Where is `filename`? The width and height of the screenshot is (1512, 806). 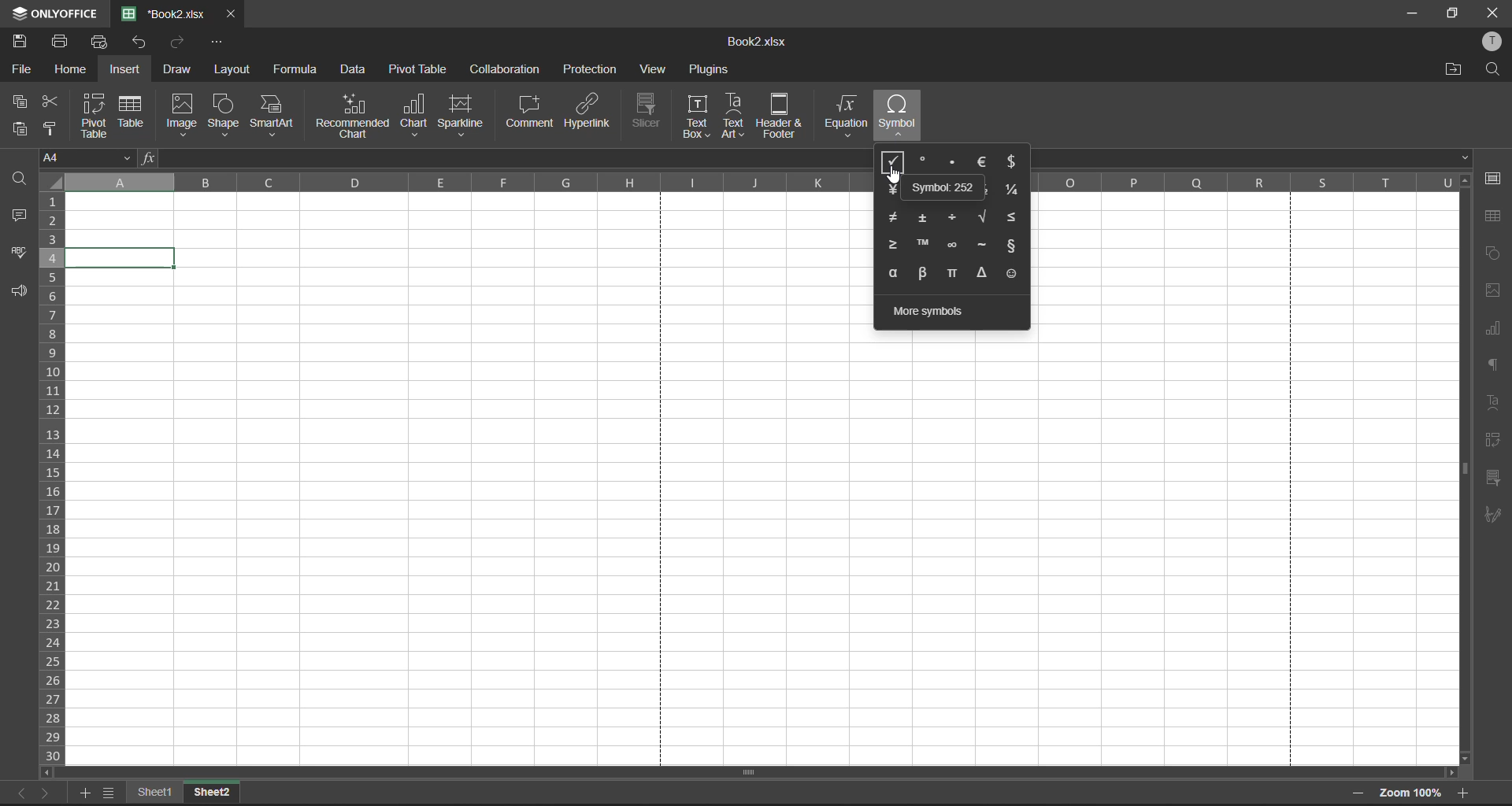
filename is located at coordinates (165, 13).